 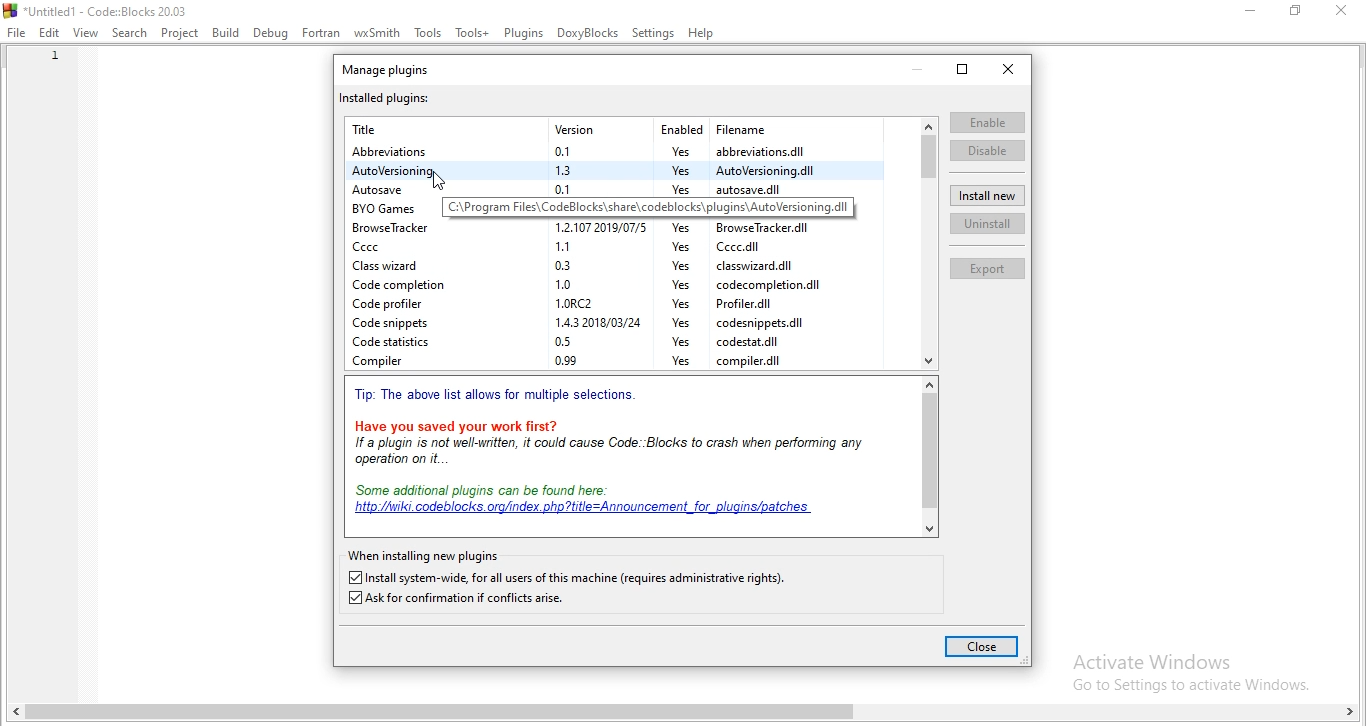 I want to click on Fortran, so click(x=321, y=34).